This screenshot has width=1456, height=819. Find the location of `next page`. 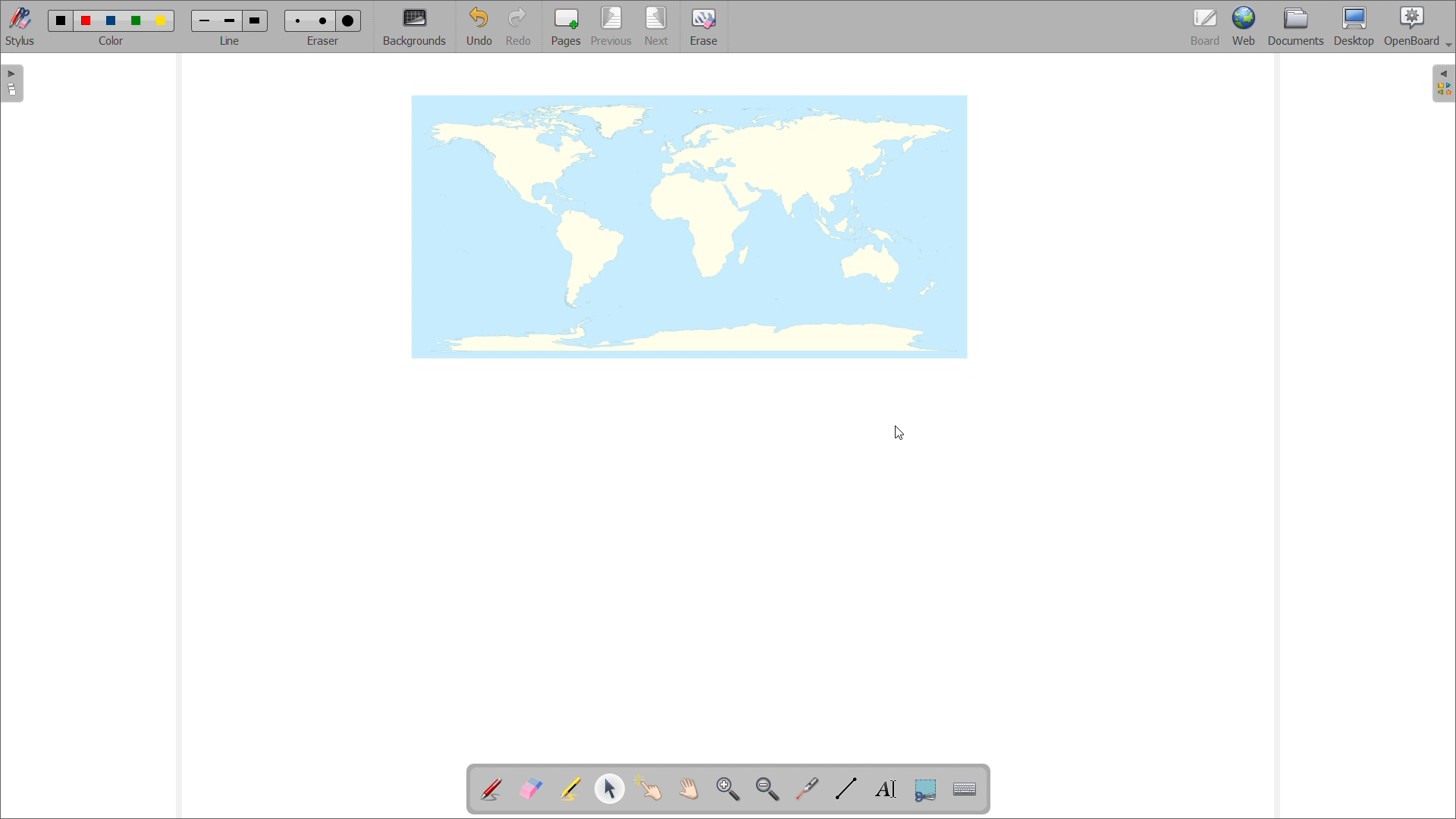

next page is located at coordinates (657, 26).